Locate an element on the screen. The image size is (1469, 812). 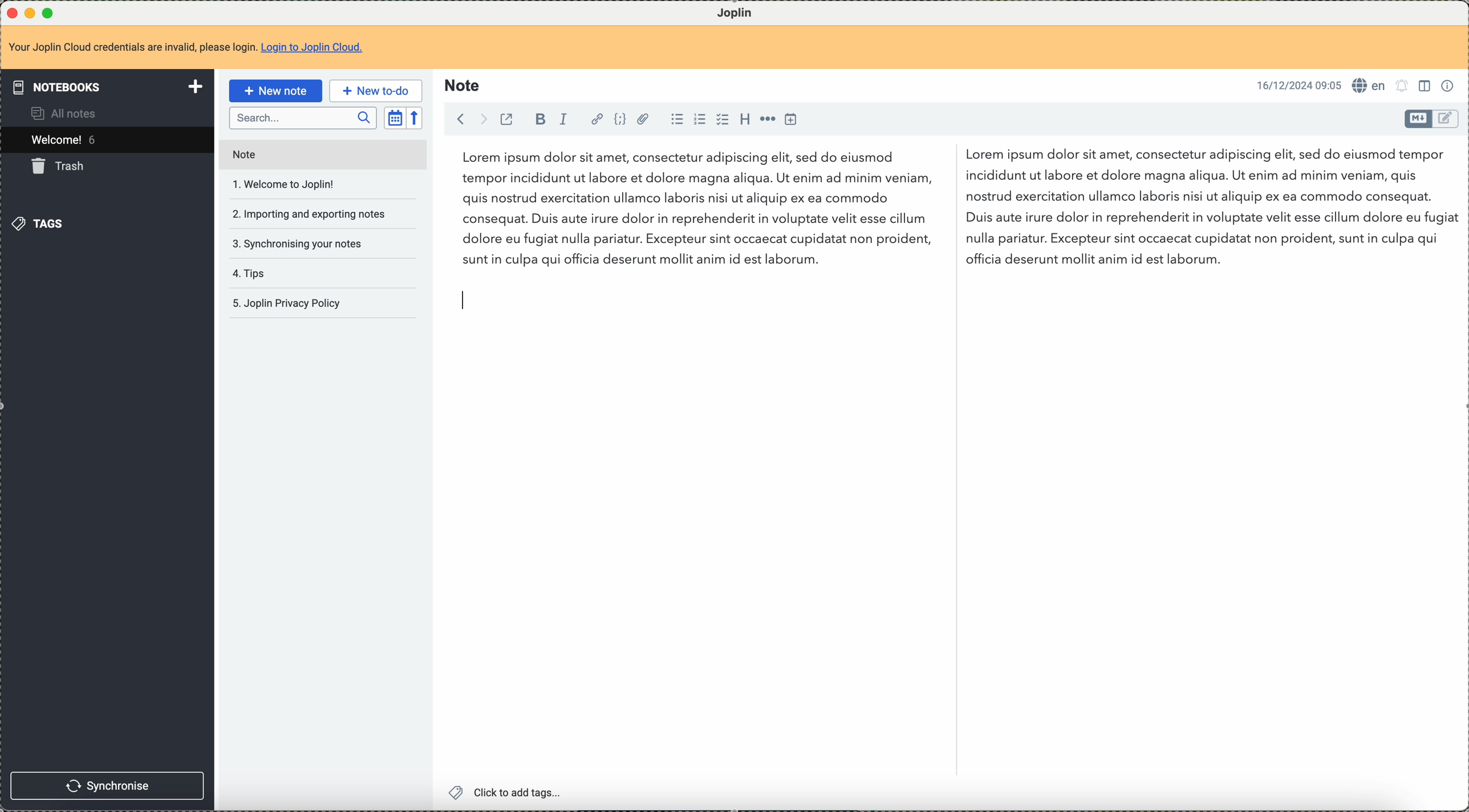
importing and exporting notes is located at coordinates (312, 215).